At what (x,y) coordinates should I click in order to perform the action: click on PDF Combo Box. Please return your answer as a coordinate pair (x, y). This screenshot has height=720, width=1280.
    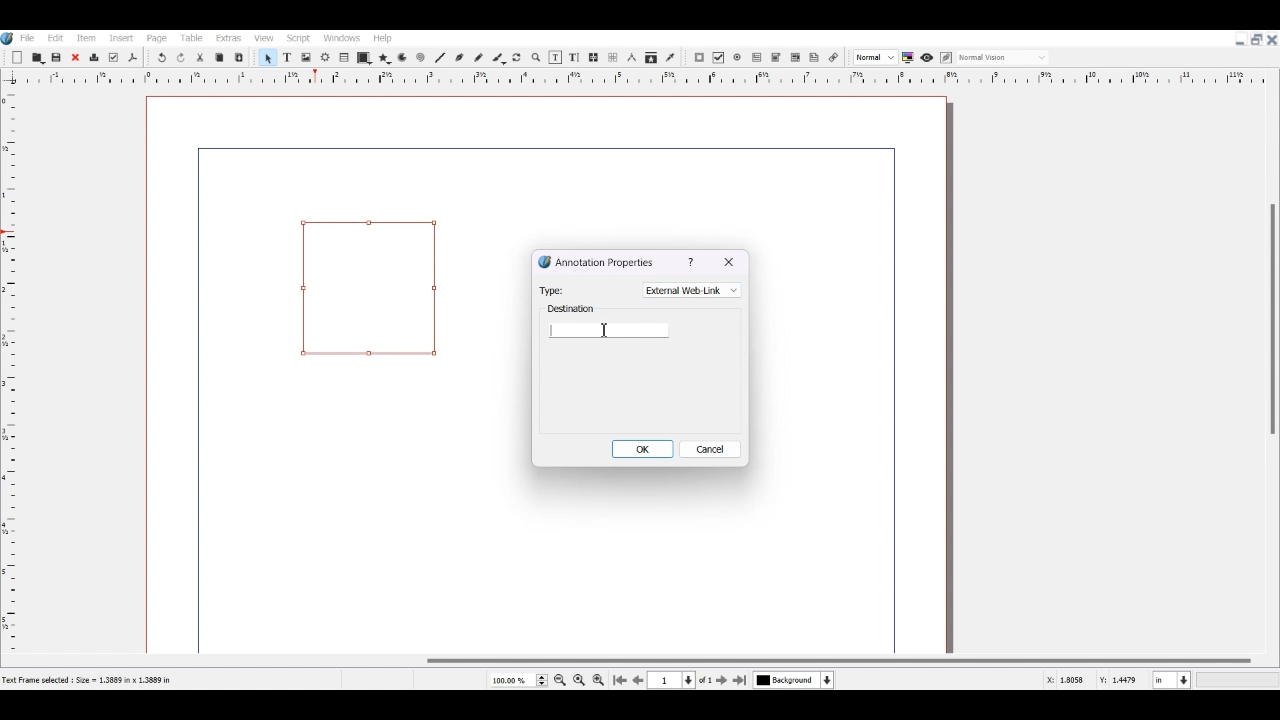
    Looking at the image, I should click on (776, 58).